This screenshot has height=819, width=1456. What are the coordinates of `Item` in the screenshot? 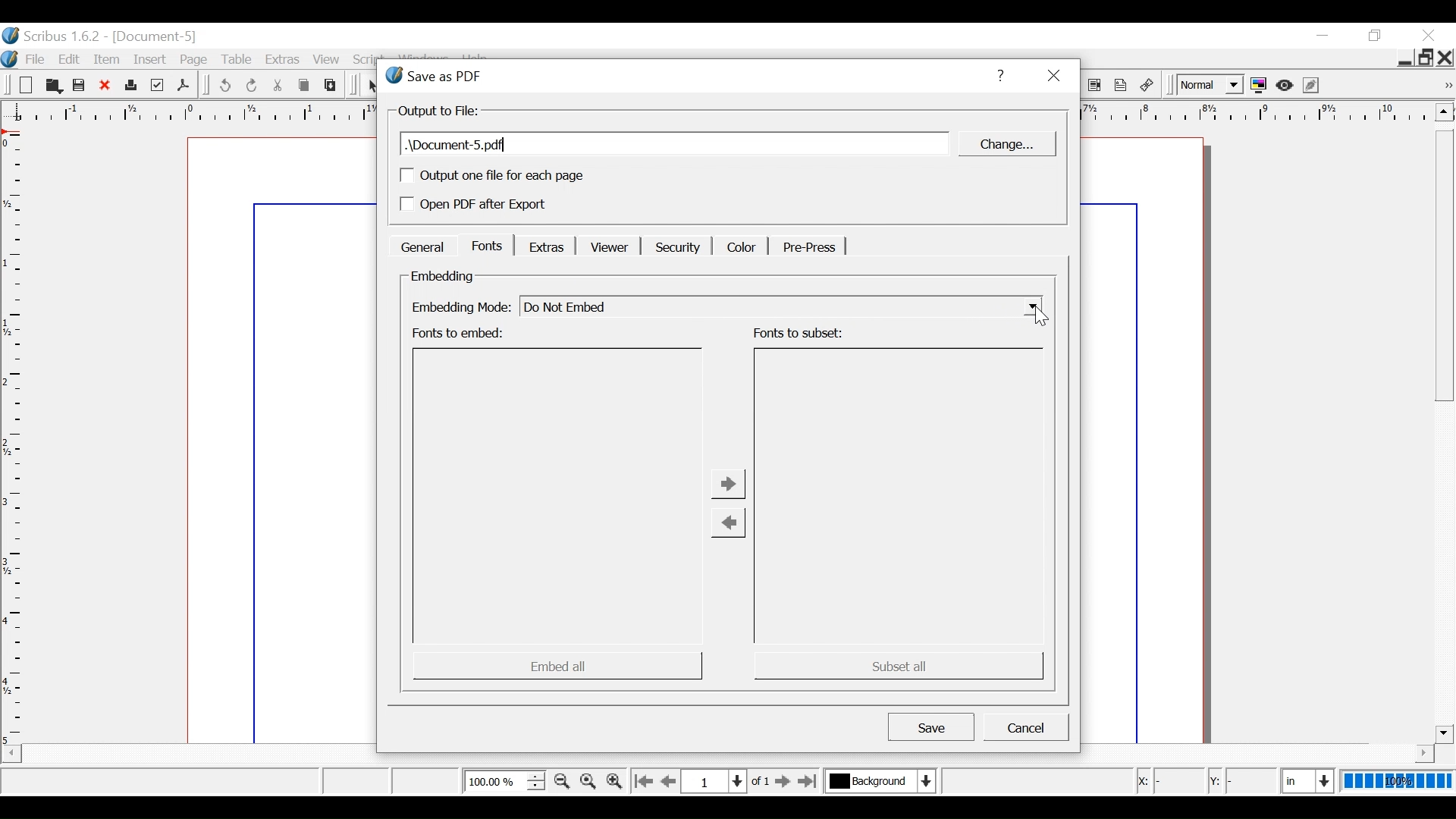 It's located at (108, 59).